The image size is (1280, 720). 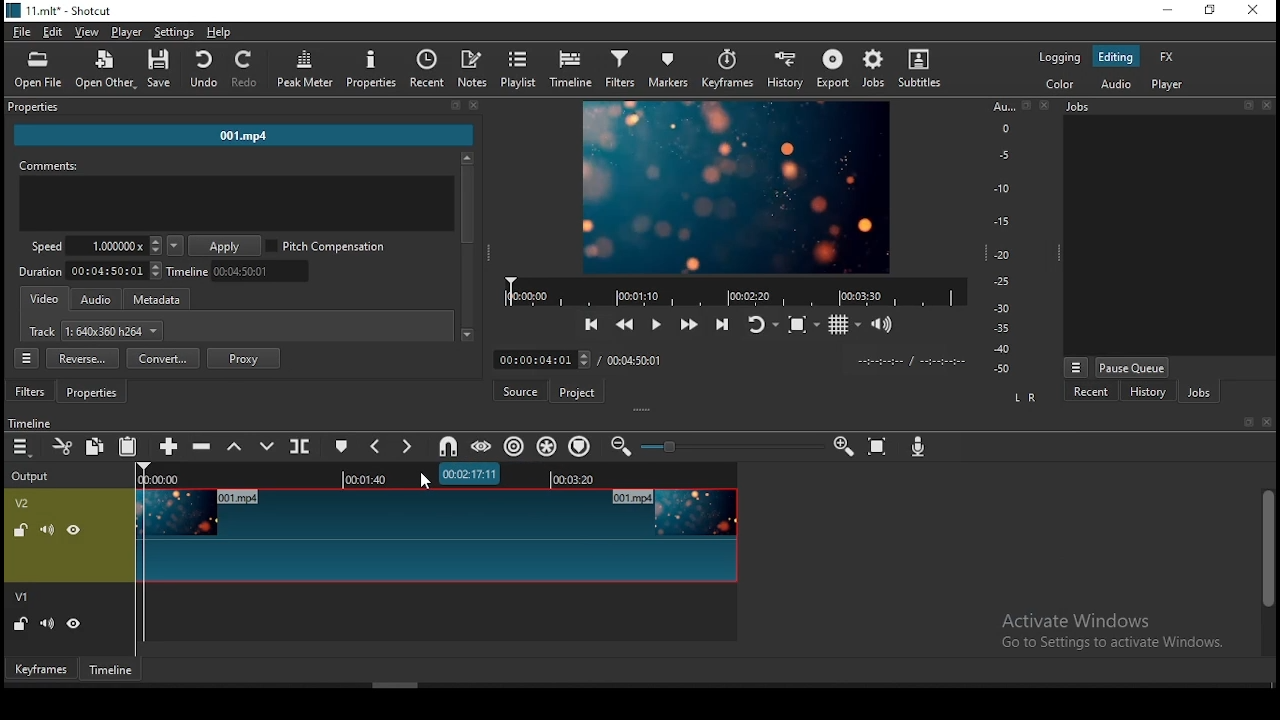 I want to click on recent, so click(x=1093, y=394).